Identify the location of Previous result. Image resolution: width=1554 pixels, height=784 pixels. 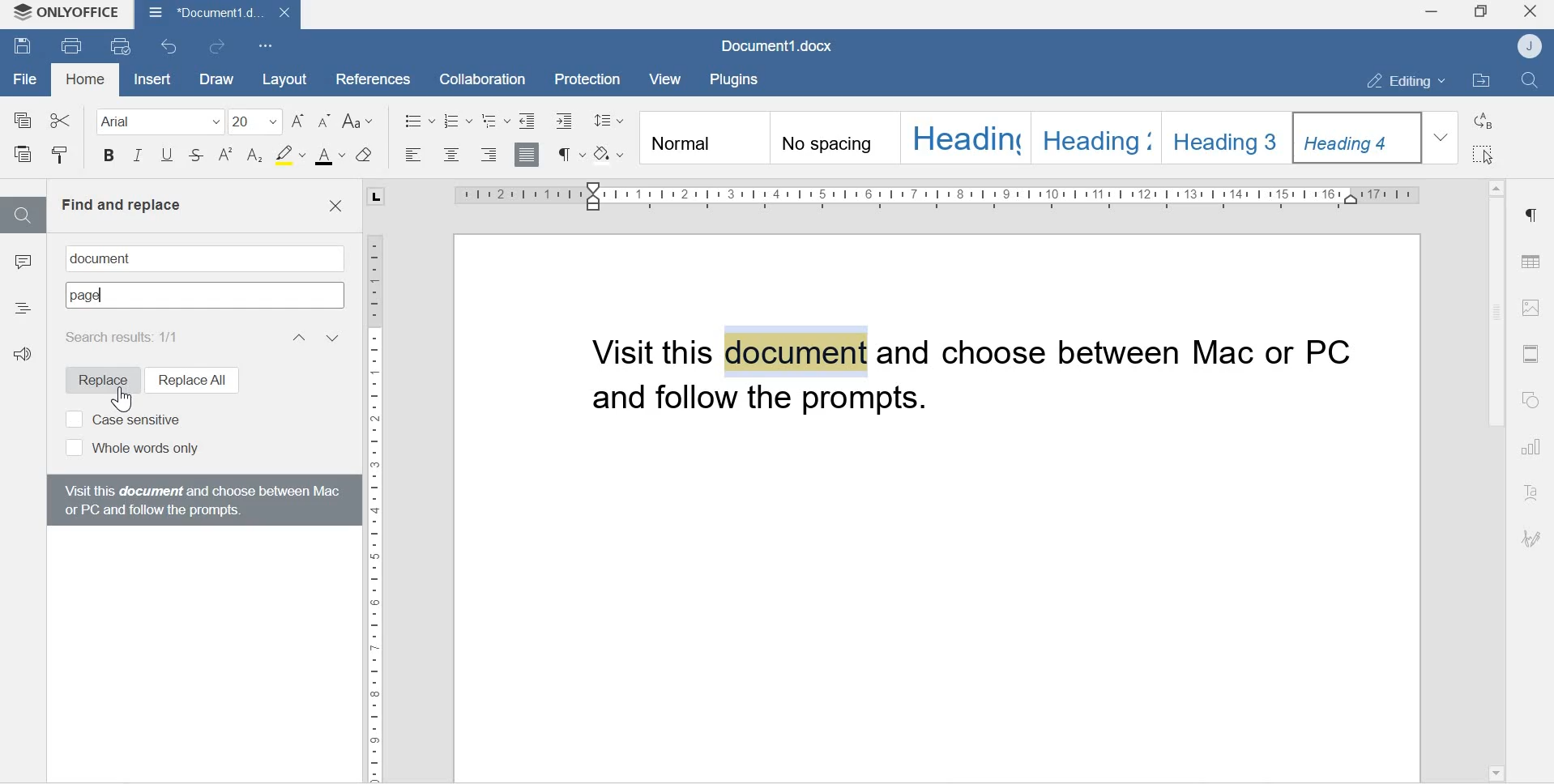
(297, 337).